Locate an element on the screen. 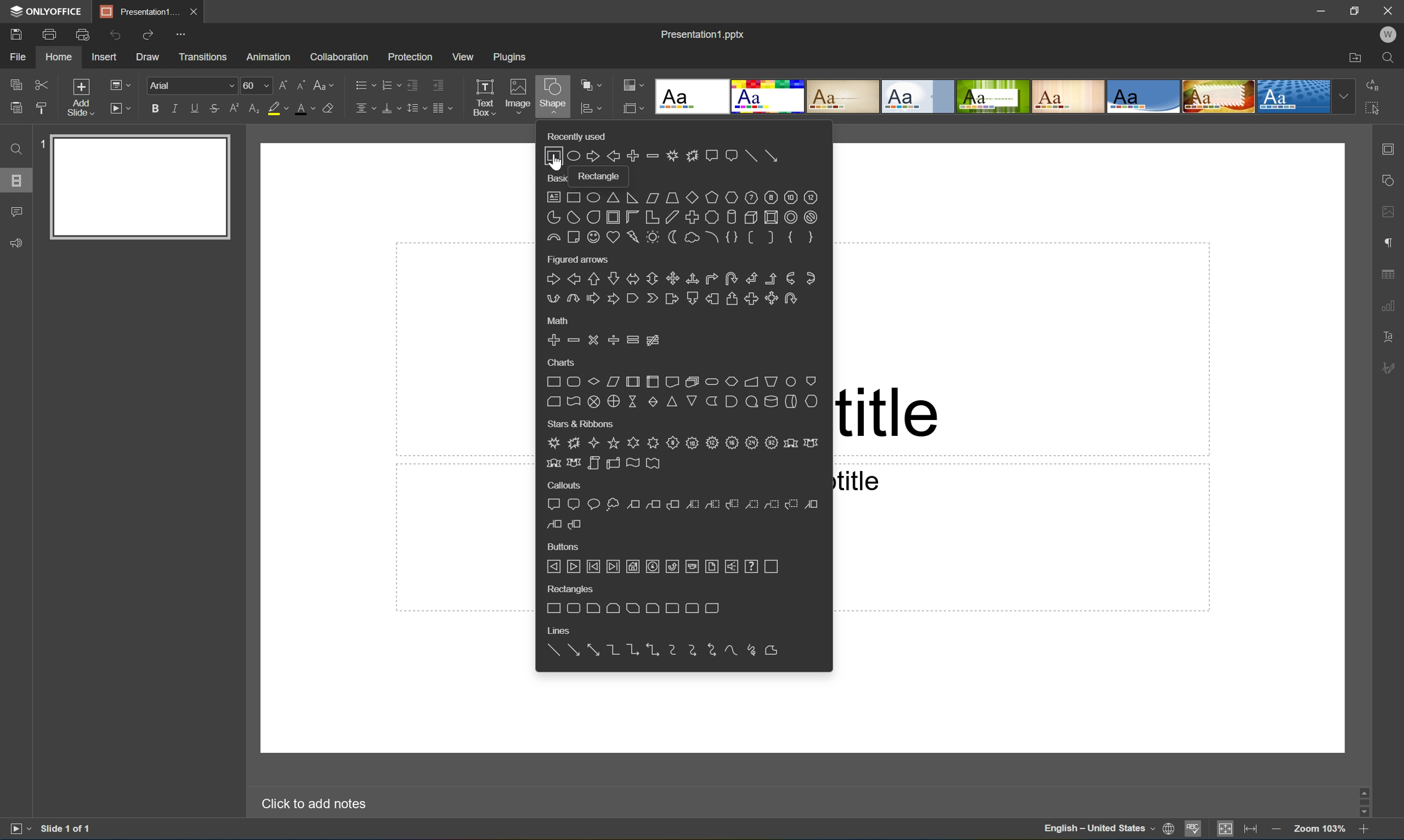  Fit to width is located at coordinates (1251, 830).